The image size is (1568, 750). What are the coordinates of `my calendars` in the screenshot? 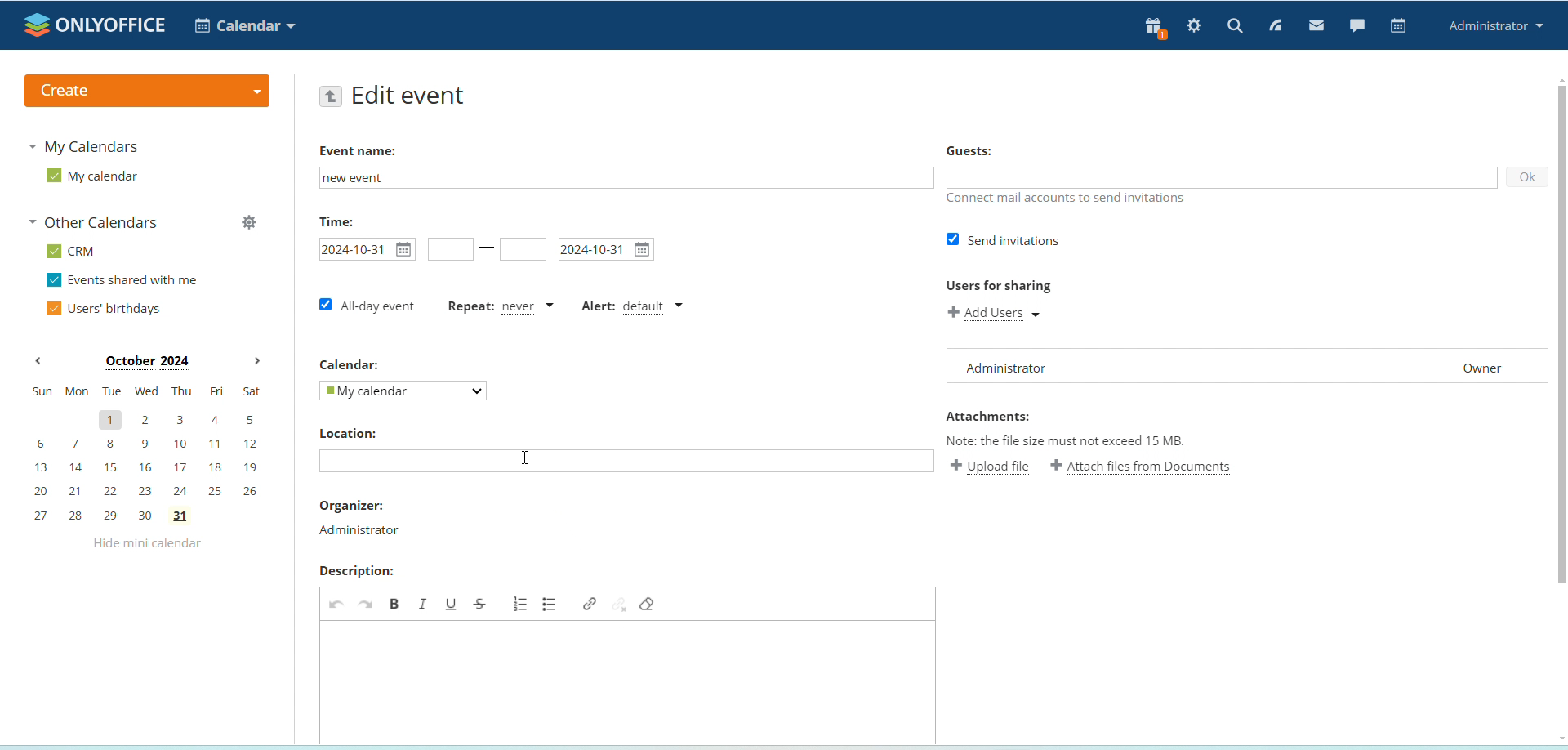 It's located at (87, 145).